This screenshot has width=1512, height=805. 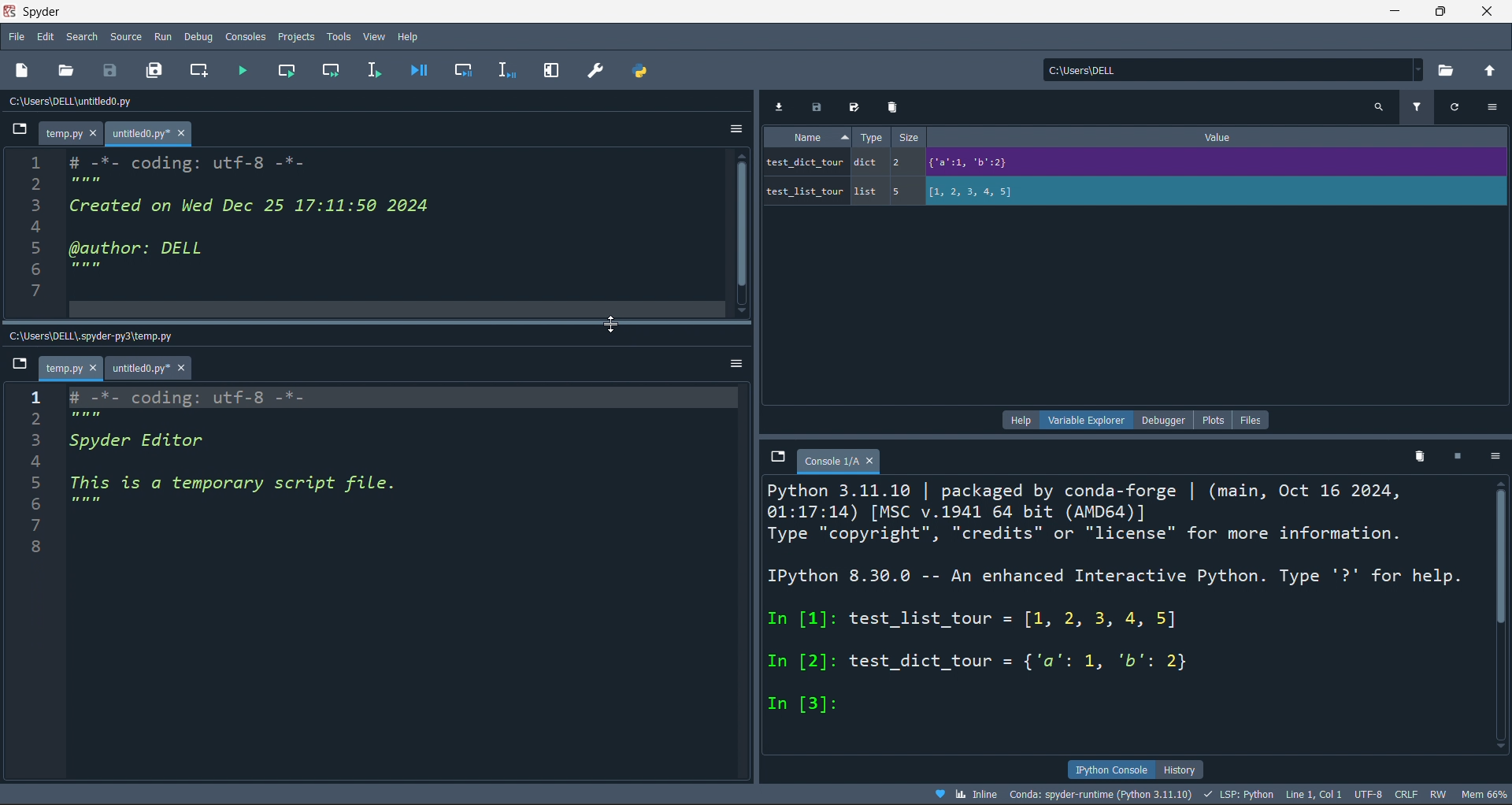 I want to click on history, so click(x=1184, y=768).